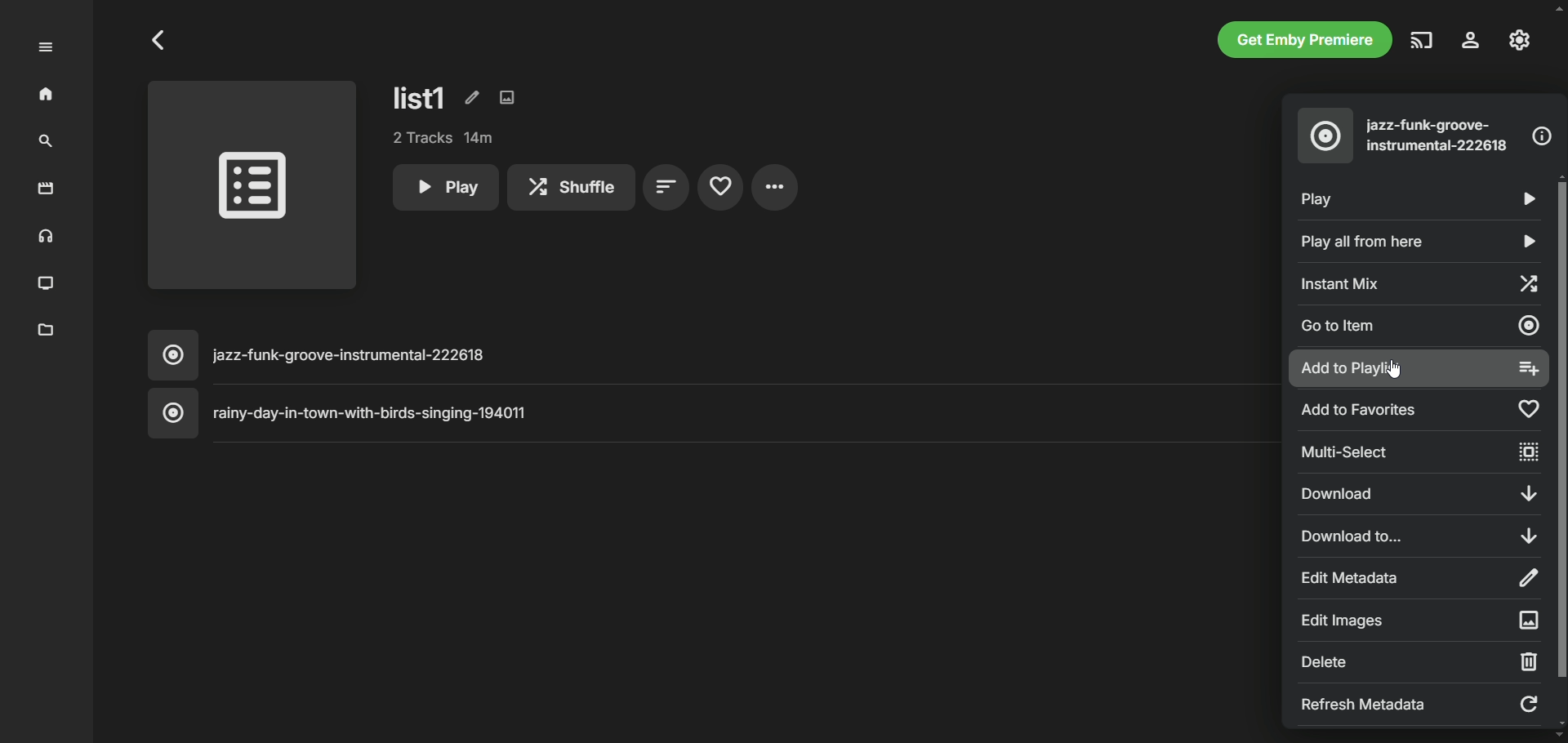 This screenshot has height=743, width=1568. What do you see at coordinates (470, 96) in the screenshot?
I see `edit metadata` at bounding box center [470, 96].